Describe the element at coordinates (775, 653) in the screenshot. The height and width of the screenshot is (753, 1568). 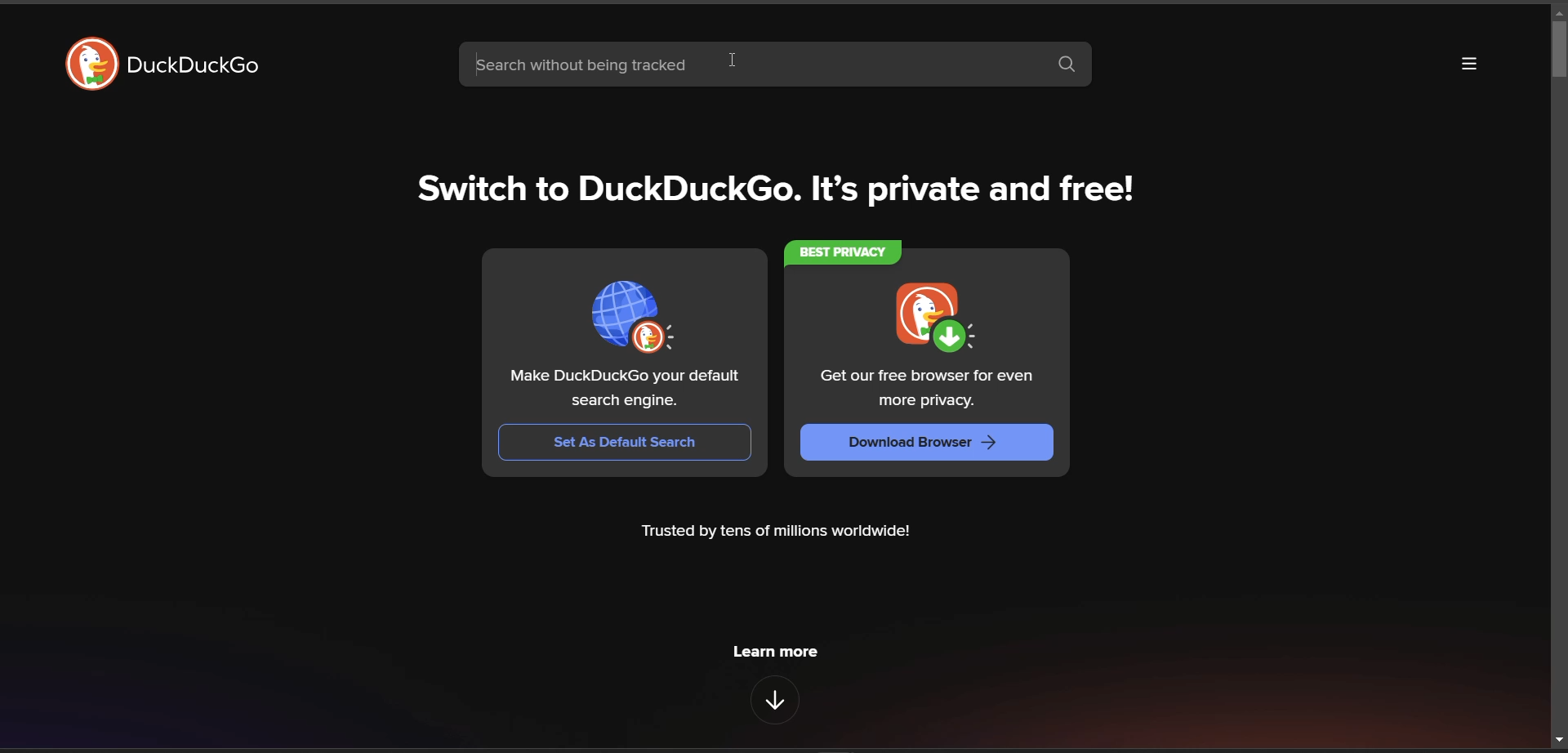
I see `learn more` at that location.